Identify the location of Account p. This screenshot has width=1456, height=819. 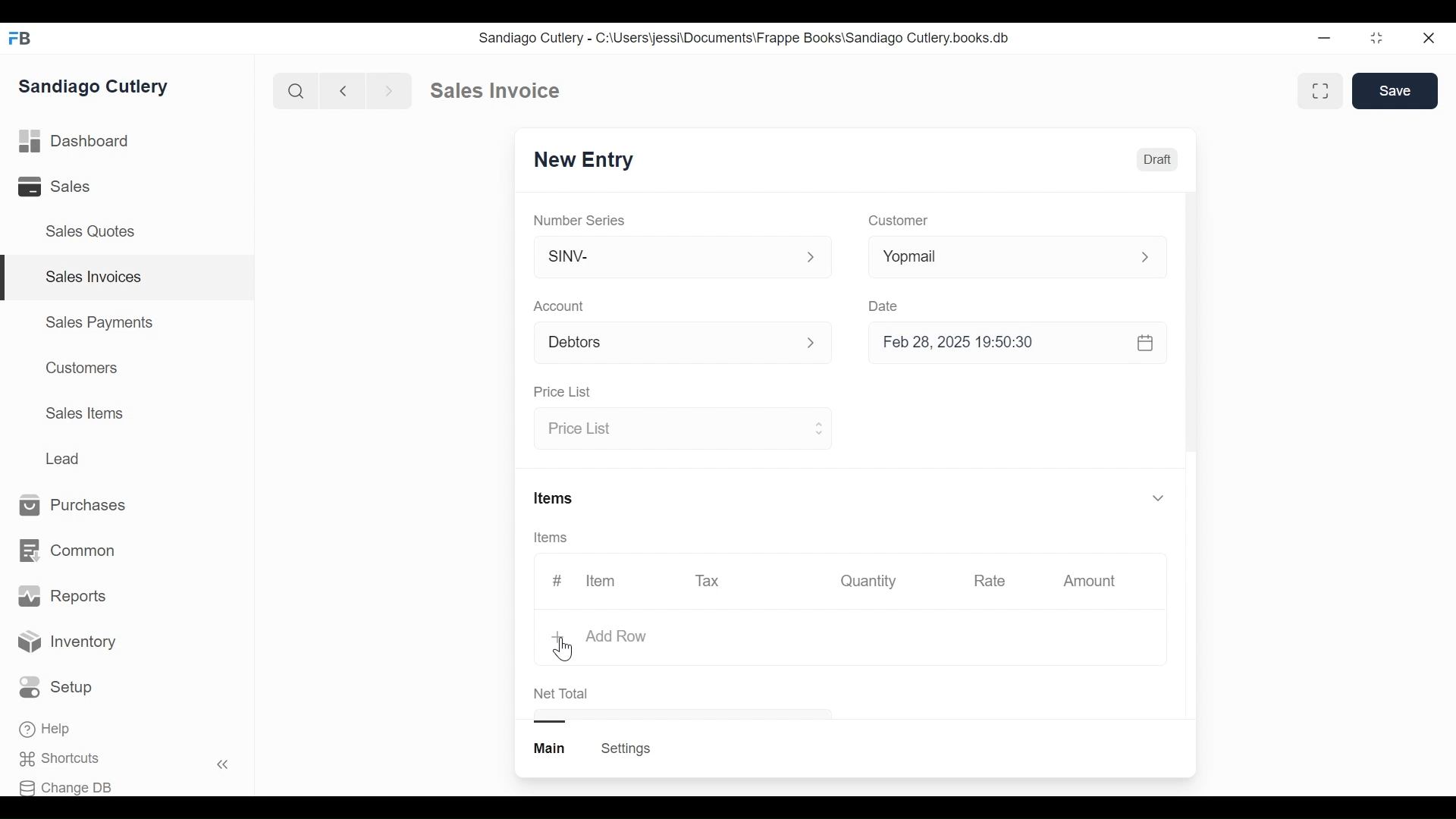
(684, 344).